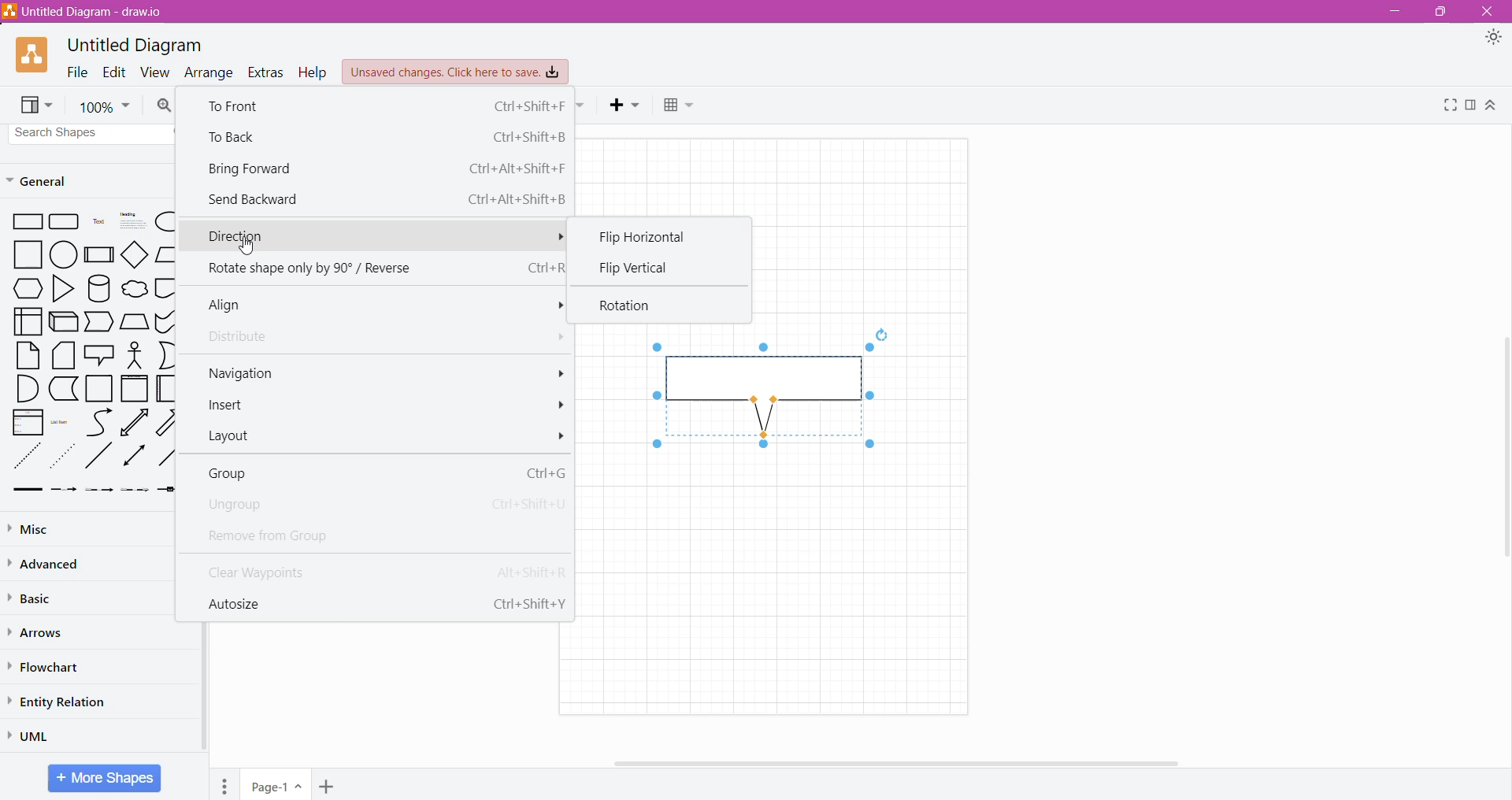 This screenshot has height=800, width=1512. Describe the element at coordinates (166, 287) in the screenshot. I see `document` at that location.